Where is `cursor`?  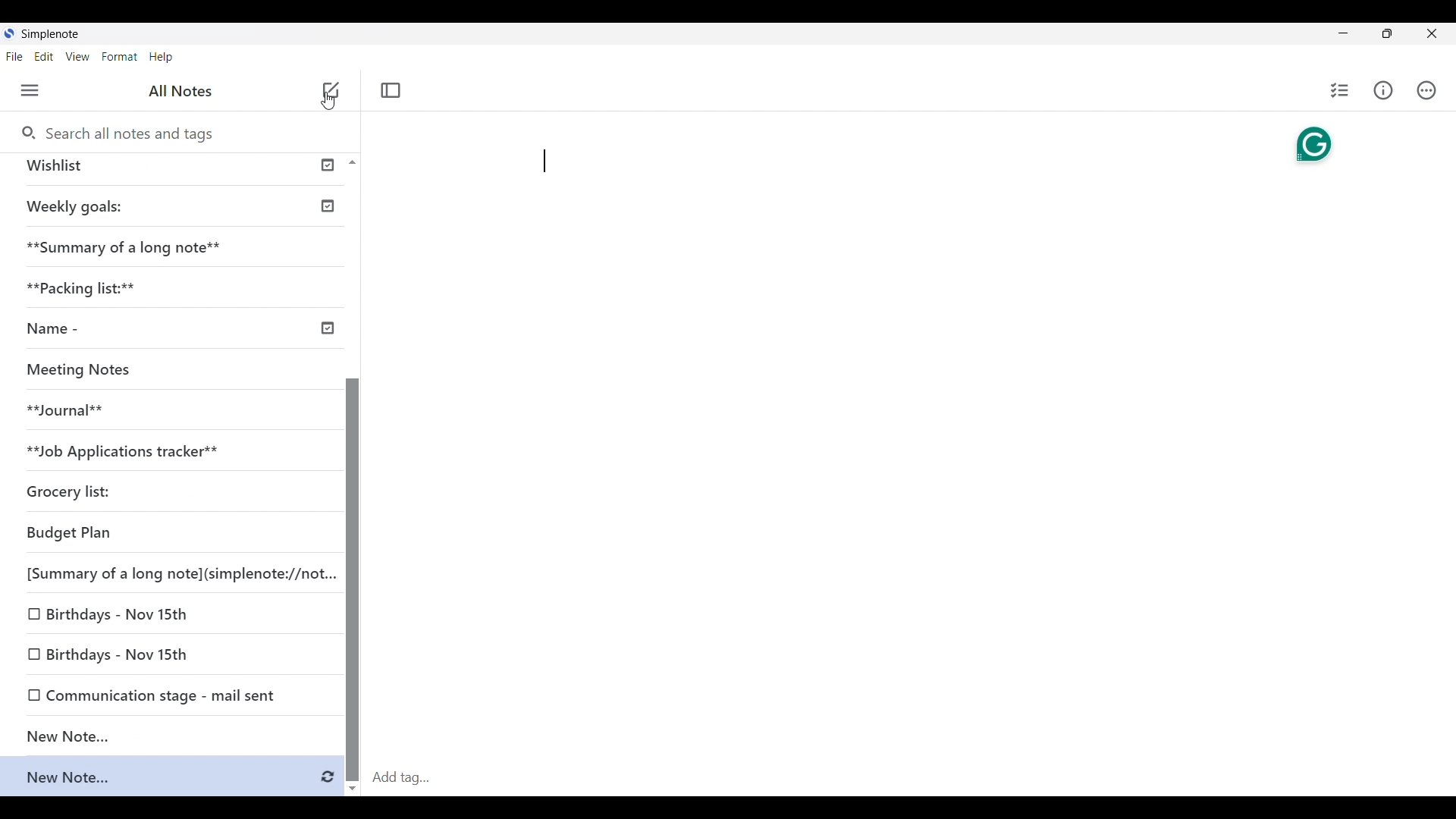 cursor is located at coordinates (330, 101).